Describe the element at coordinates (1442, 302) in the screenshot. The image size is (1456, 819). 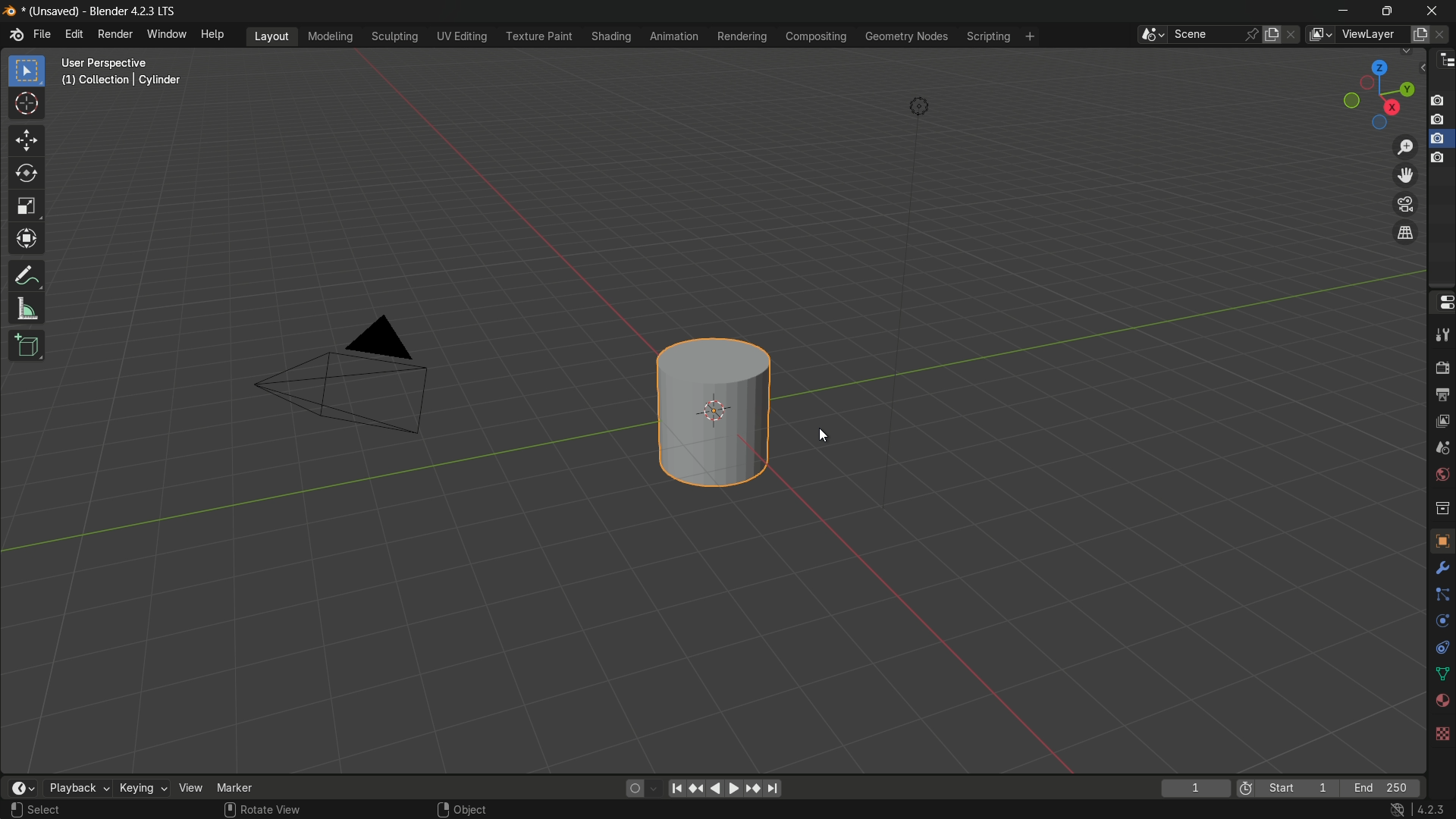
I see `properties` at that location.